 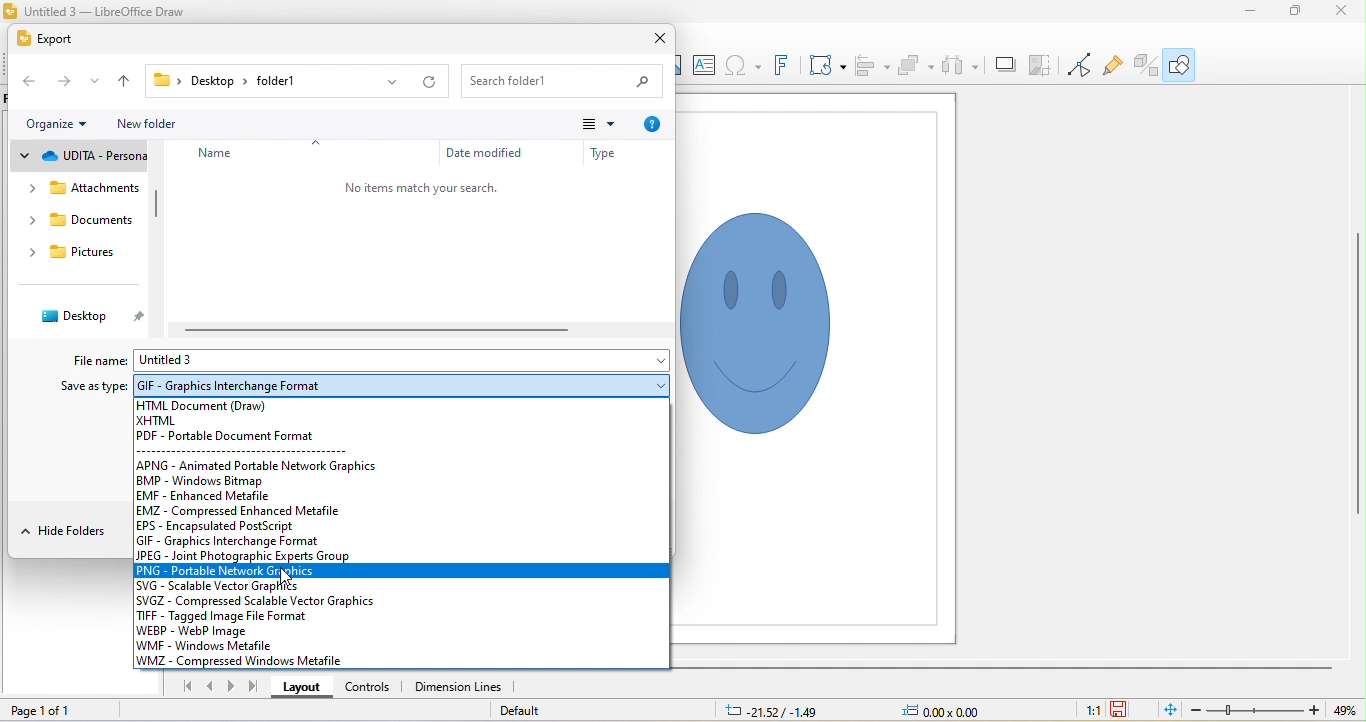 What do you see at coordinates (458, 685) in the screenshot?
I see `dimension lines` at bounding box center [458, 685].